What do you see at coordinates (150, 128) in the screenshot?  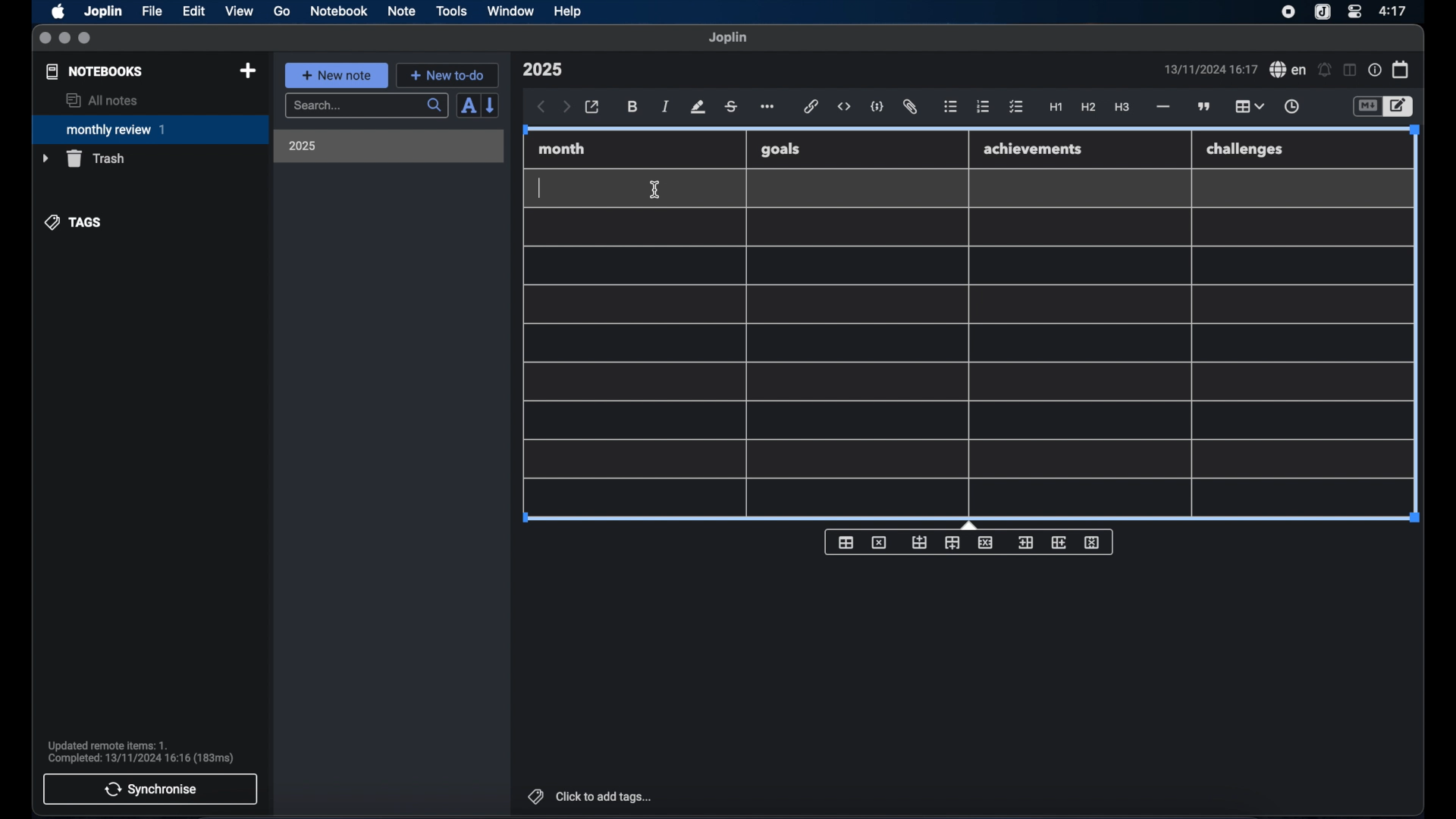 I see `monthly review` at bounding box center [150, 128].